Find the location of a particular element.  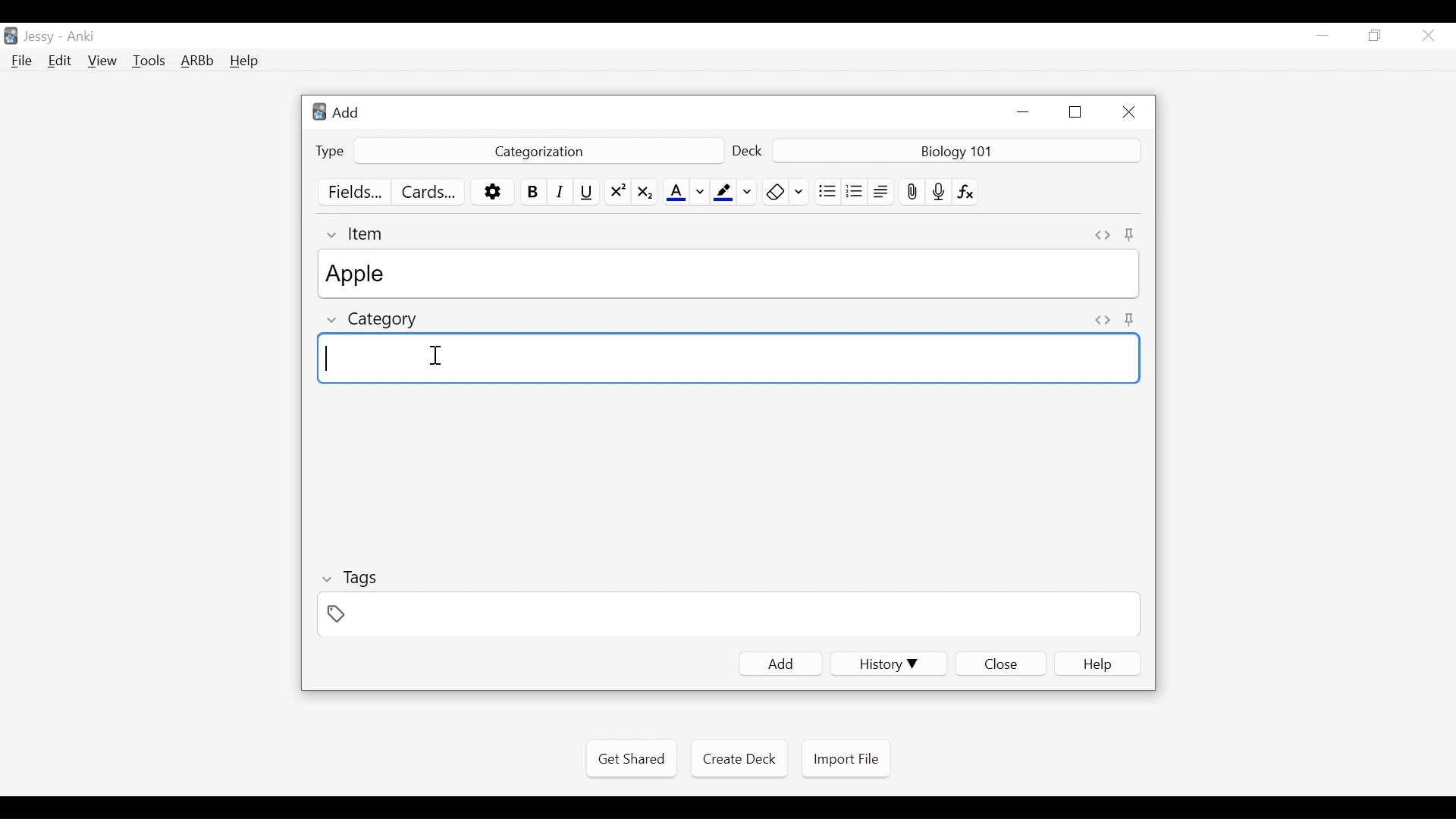

Toggle HTML Editor is located at coordinates (1103, 235).